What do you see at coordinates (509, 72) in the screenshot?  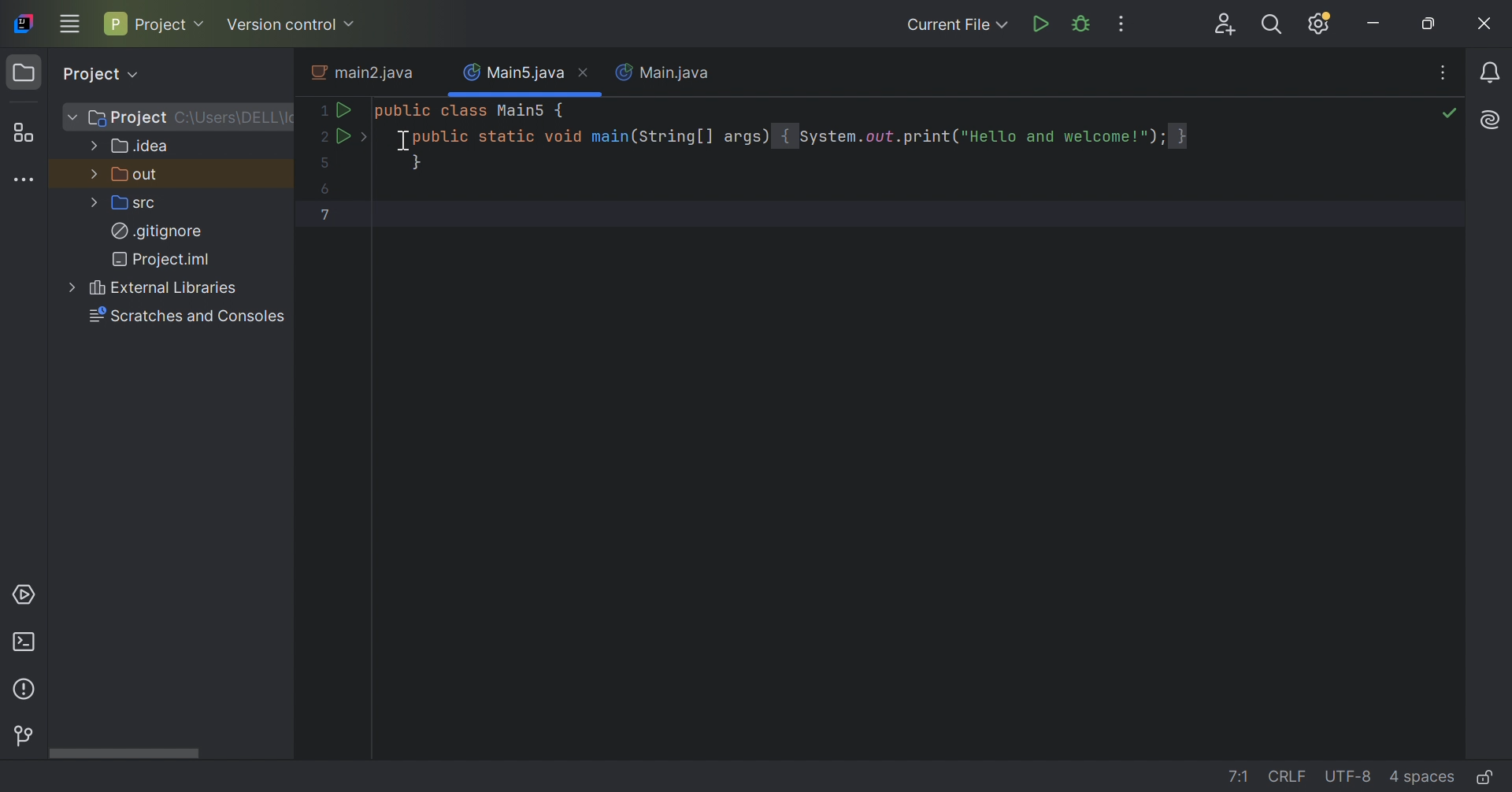 I see `Main5.java` at bounding box center [509, 72].